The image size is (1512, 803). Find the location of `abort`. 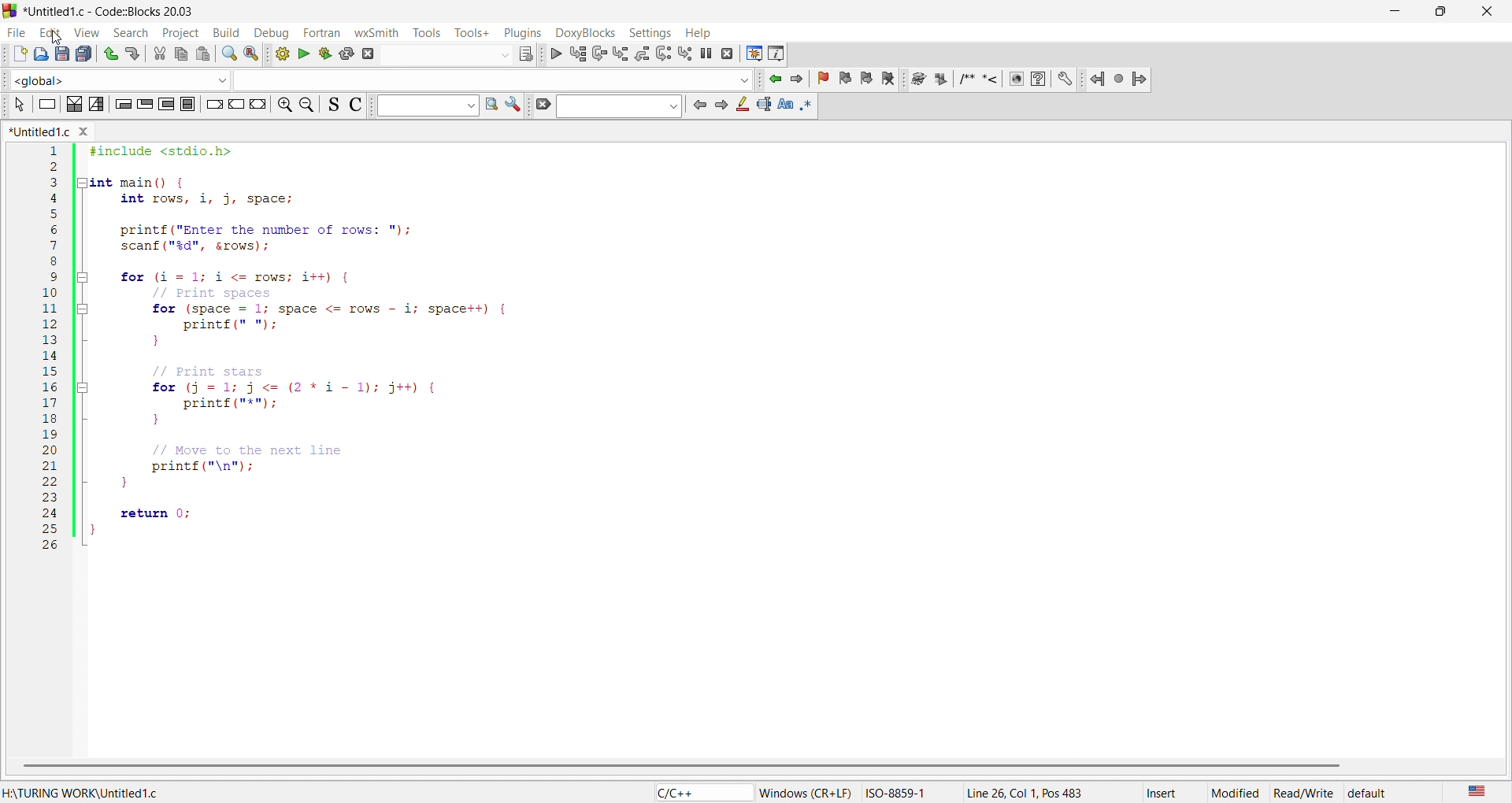

abort is located at coordinates (372, 53).